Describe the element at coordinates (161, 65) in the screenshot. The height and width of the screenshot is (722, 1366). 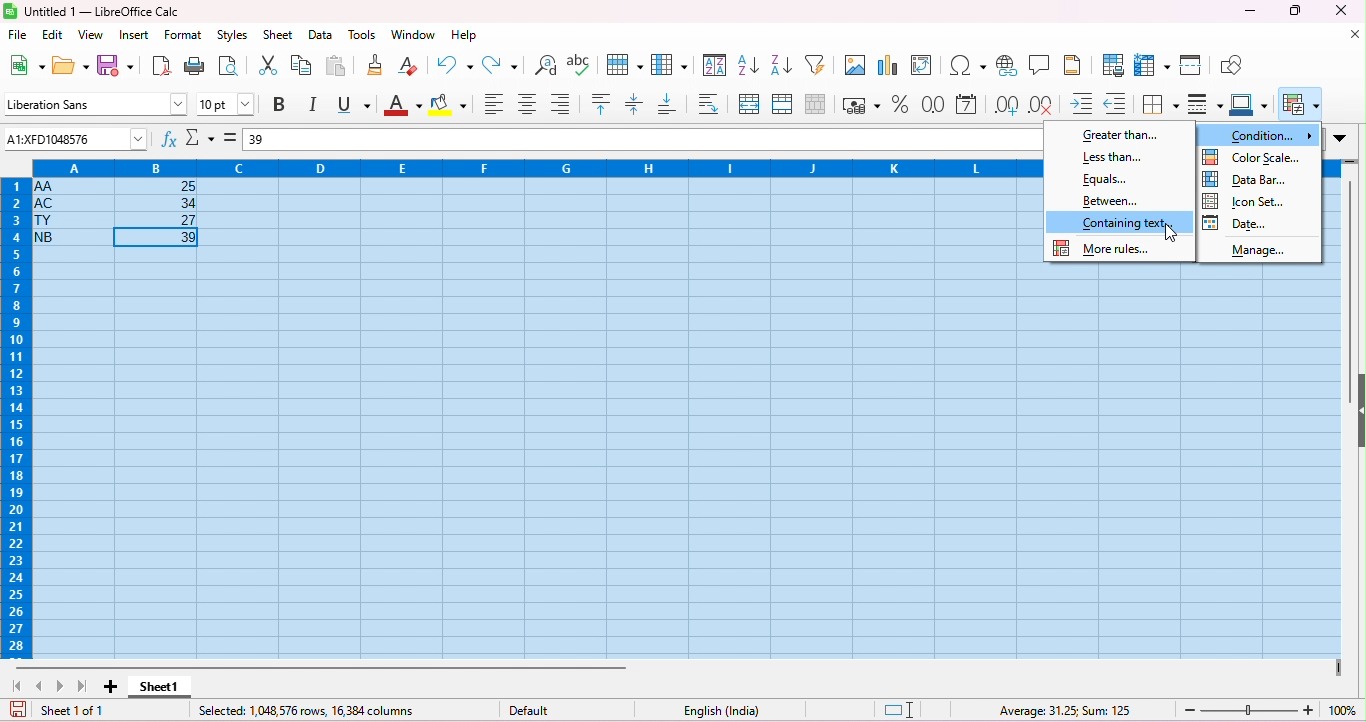
I see `export as pdf` at that location.